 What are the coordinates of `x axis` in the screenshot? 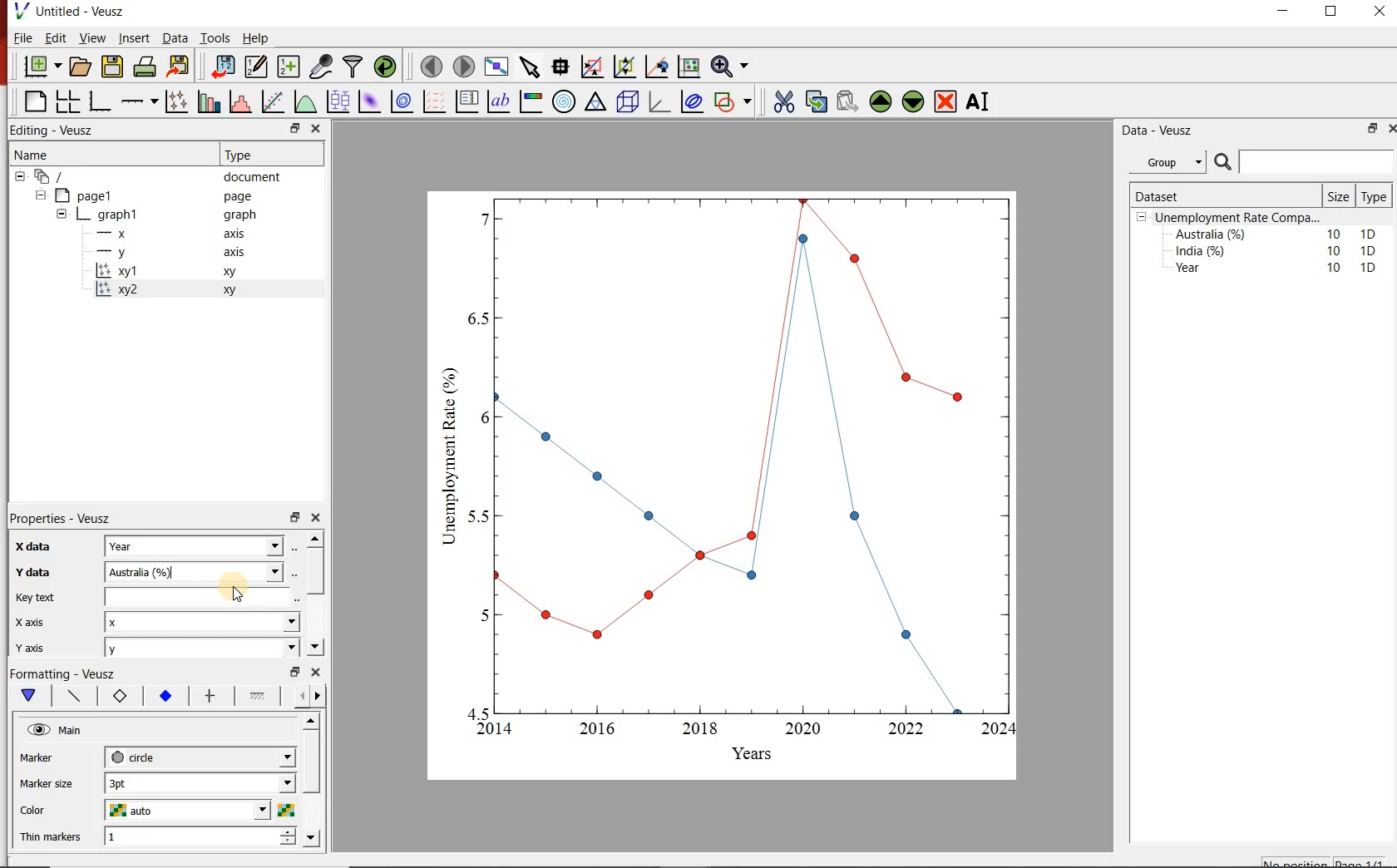 It's located at (178, 233).